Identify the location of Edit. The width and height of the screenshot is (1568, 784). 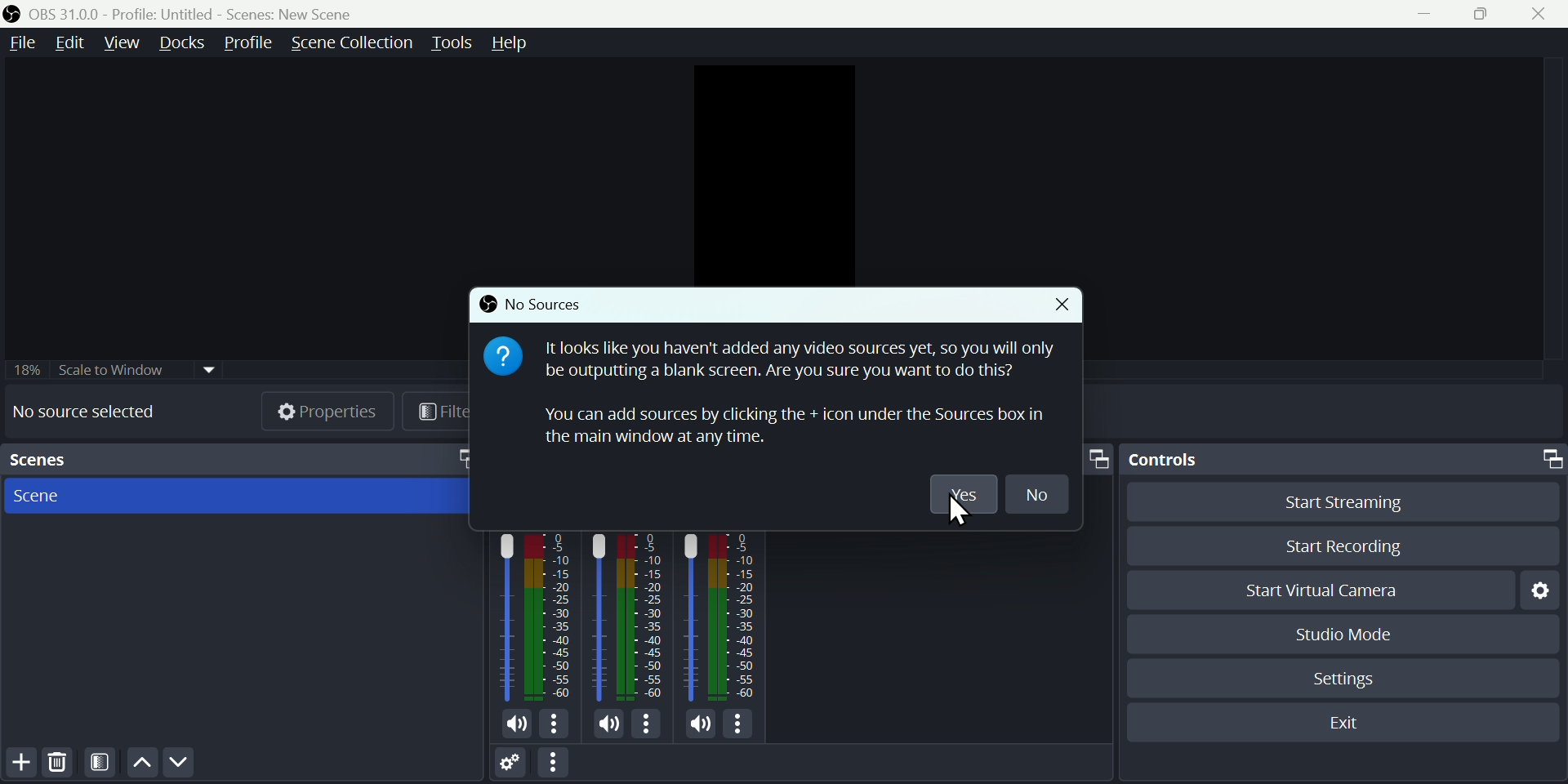
(74, 40).